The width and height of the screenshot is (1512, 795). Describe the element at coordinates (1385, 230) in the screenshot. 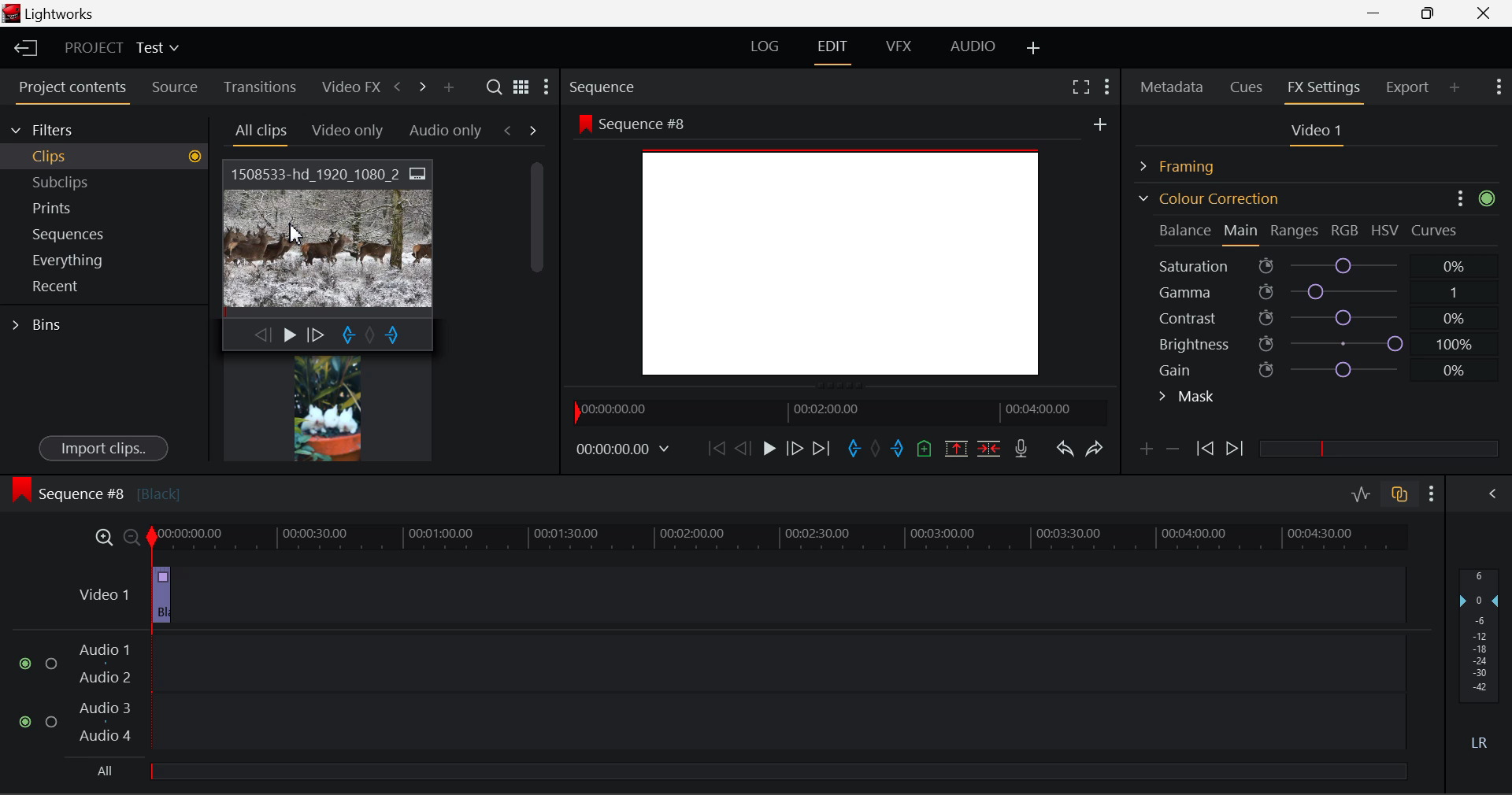

I see `HSV` at that location.